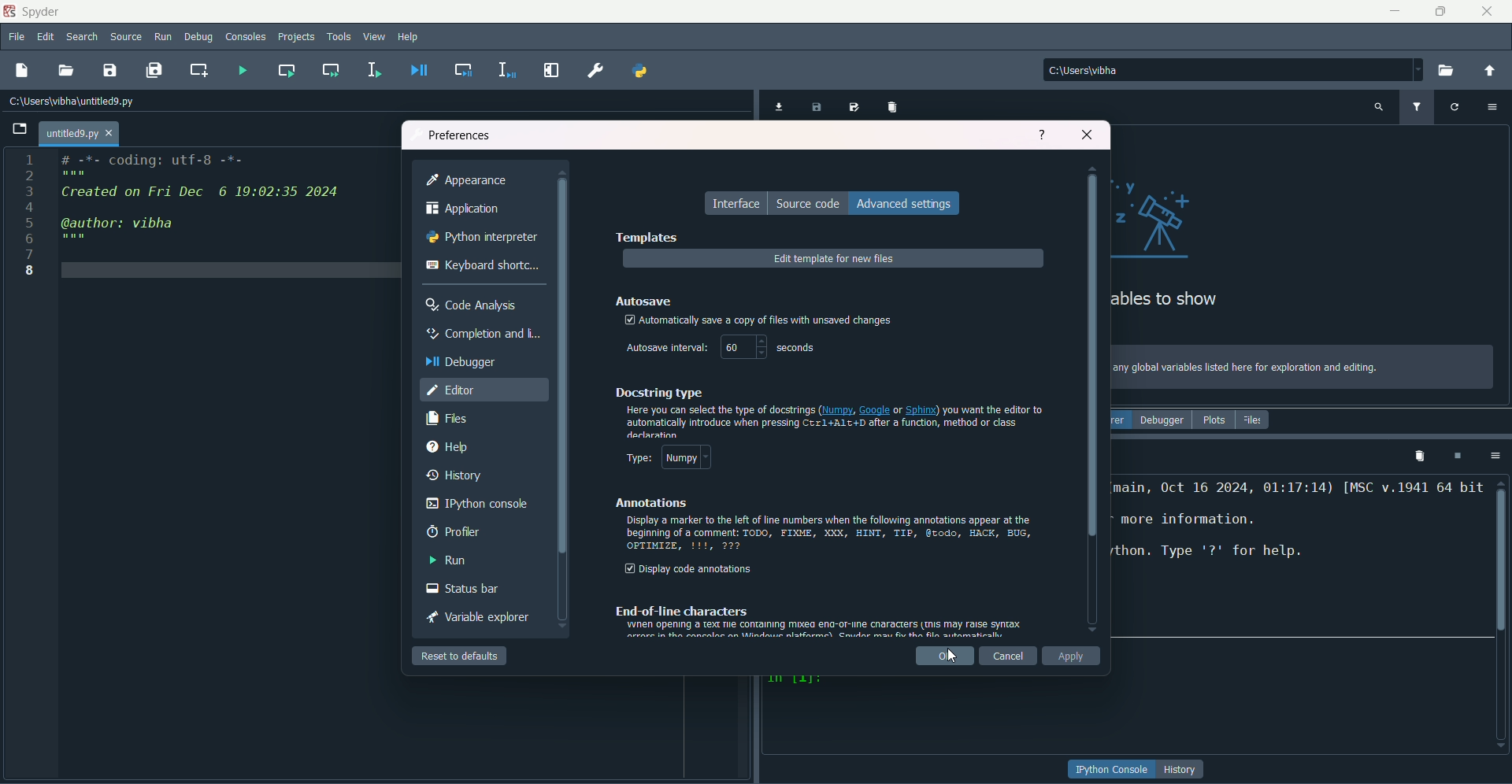 This screenshot has height=784, width=1512. Describe the element at coordinates (1254, 420) in the screenshot. I see `files` at that location.